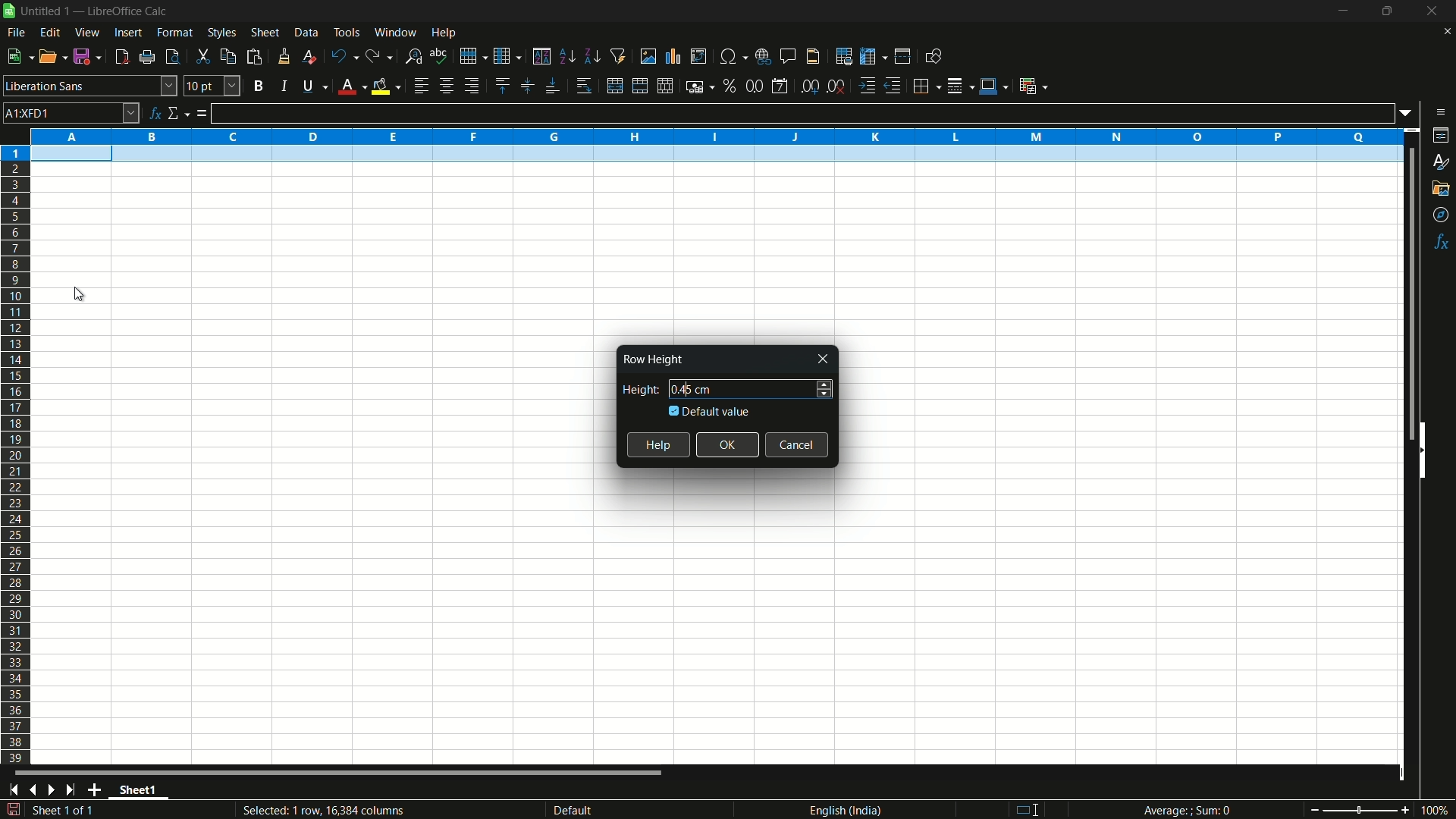 This screenshot has width=1456, height=819. I want to click on font color, so click(350, 87).